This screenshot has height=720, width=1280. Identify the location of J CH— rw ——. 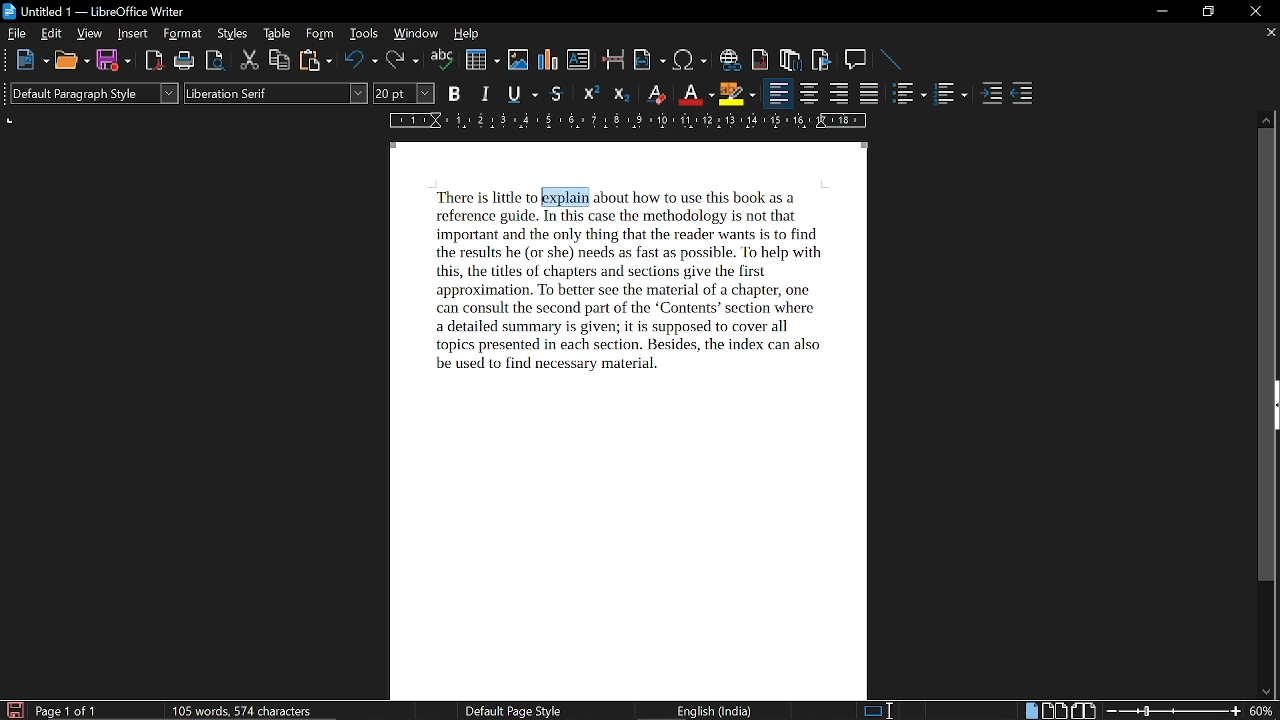
(704, 196).